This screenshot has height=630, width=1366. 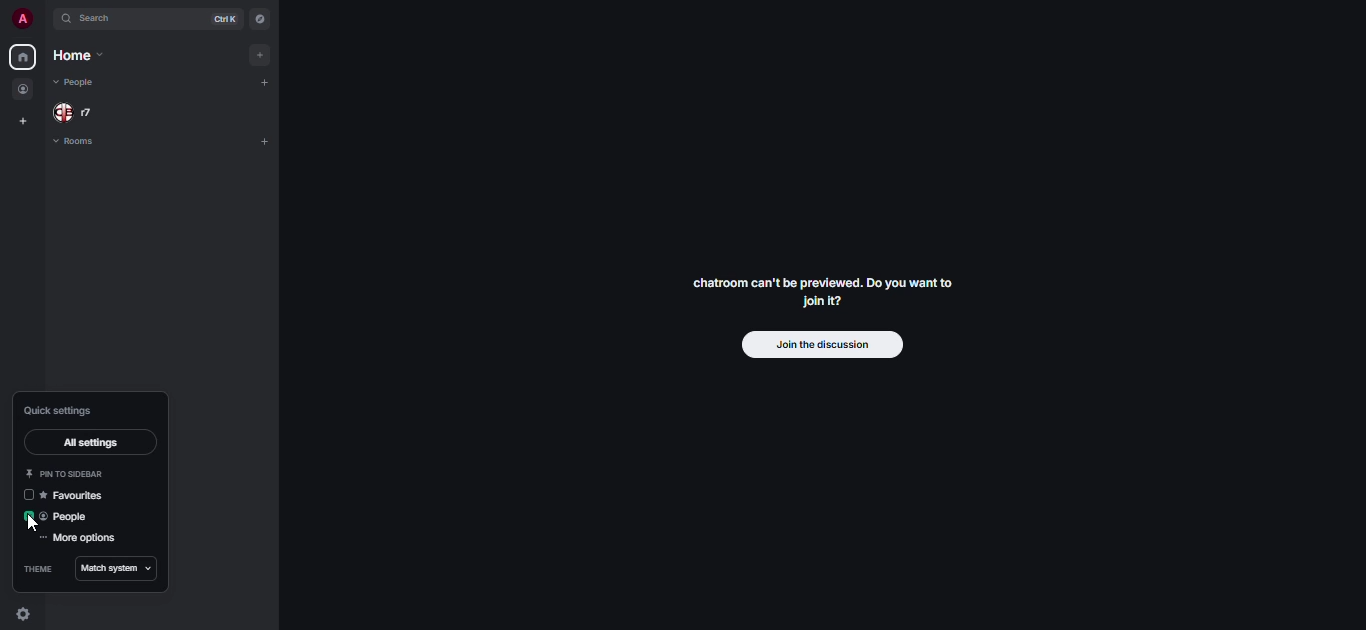 What do you see at coordinates (35, 569) in the screenshot?
I see `theme` at bounding box center [35, 569].